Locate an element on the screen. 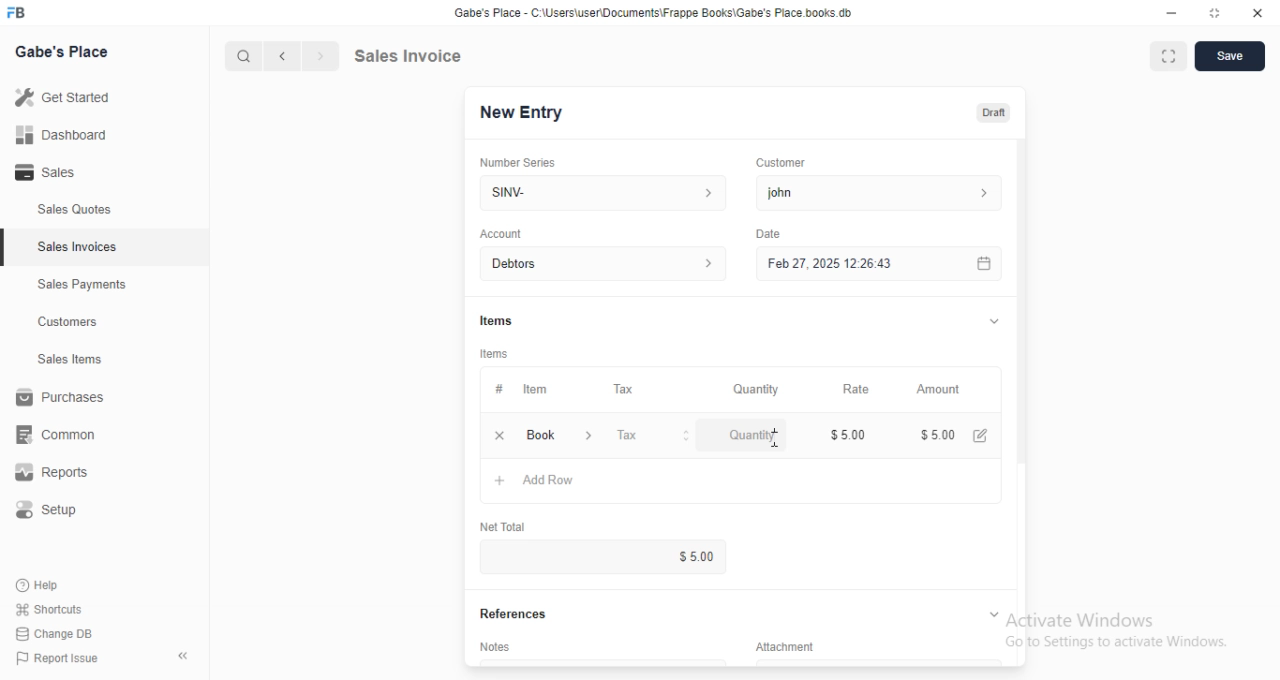  $5.00 is located at coordinates (849, 434).